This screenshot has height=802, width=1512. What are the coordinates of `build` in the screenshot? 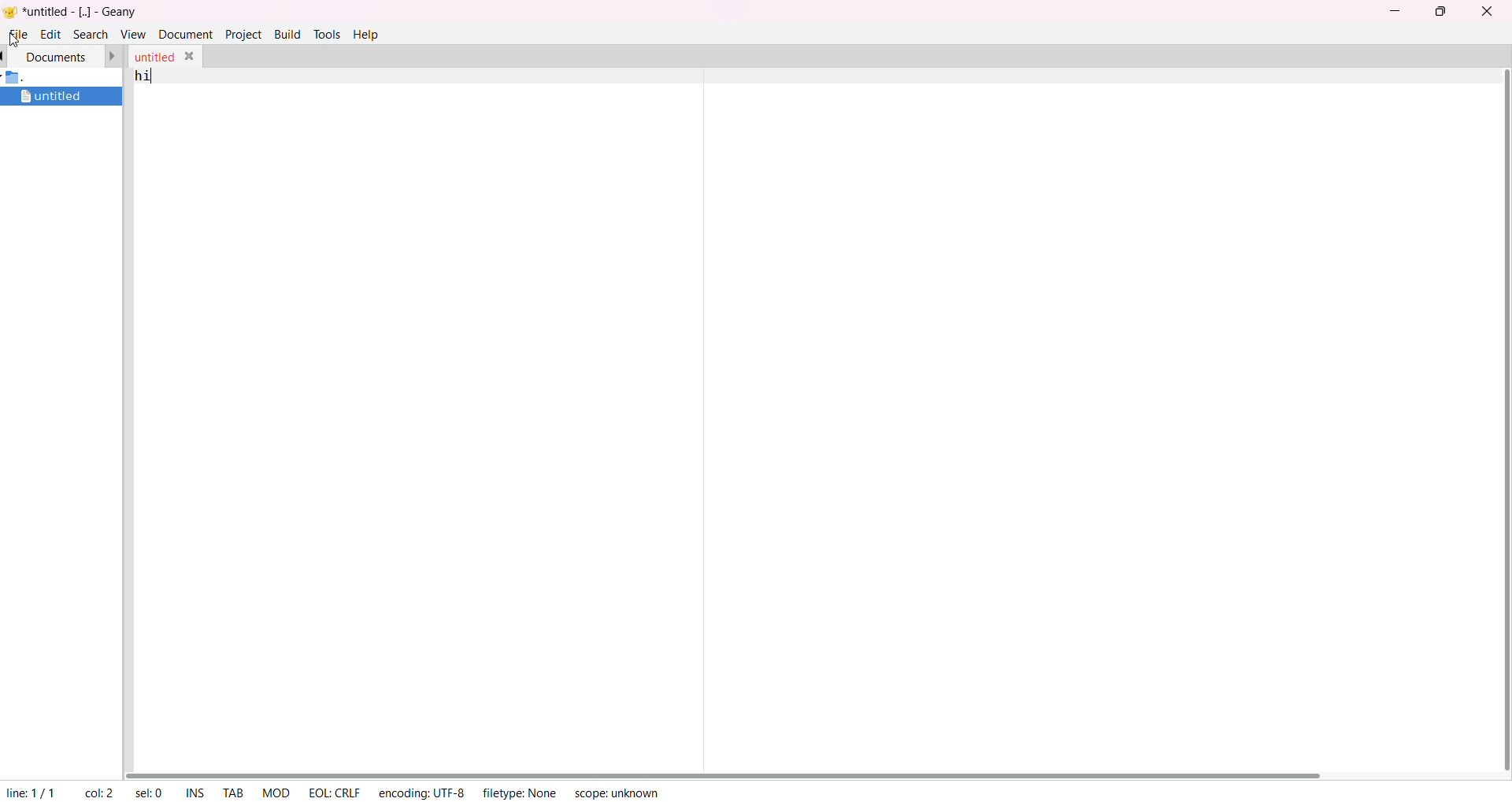 It's located at (287, 32).